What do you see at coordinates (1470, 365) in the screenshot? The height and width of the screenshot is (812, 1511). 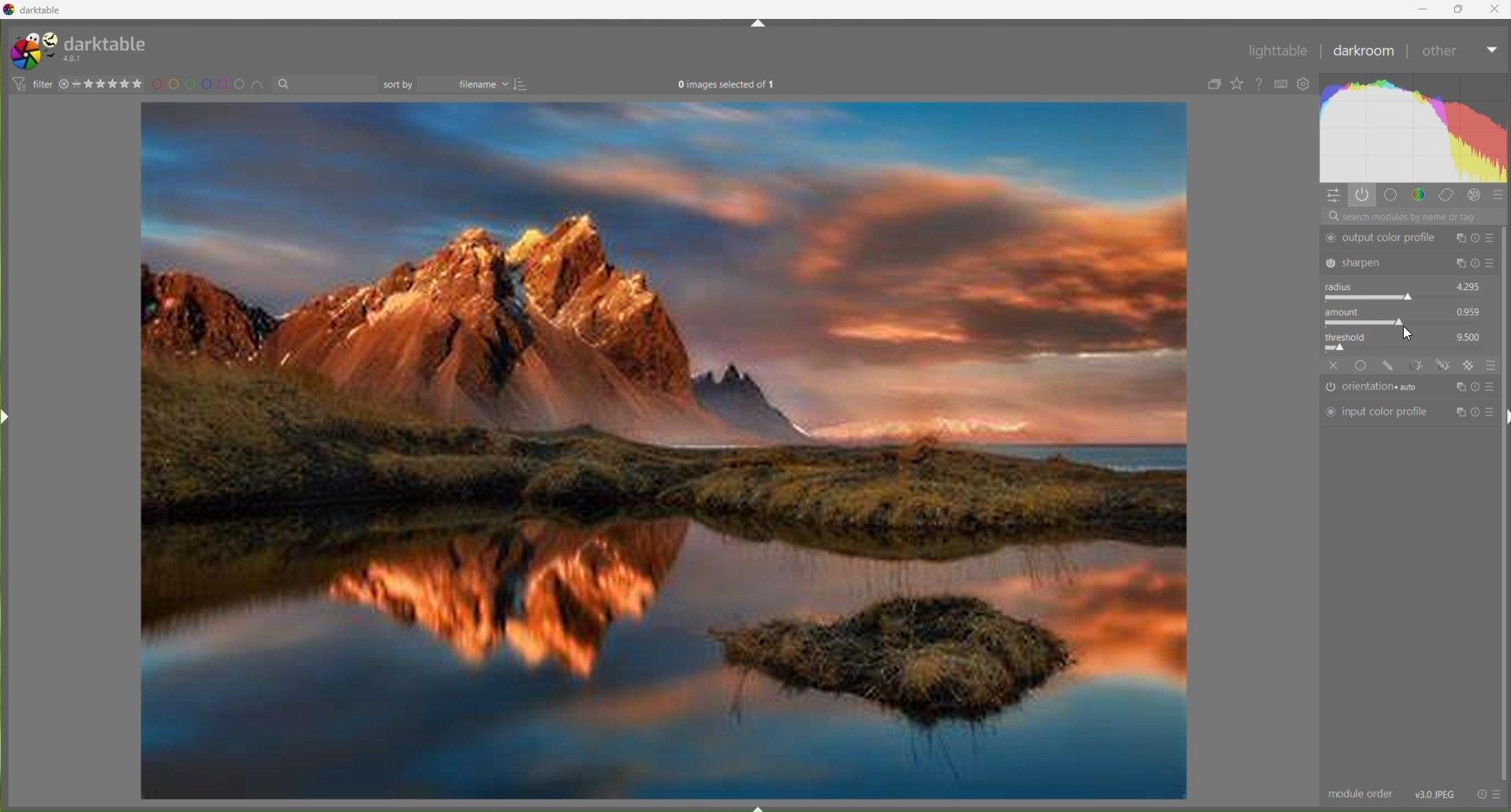 I see `Effects` at bounding box center [1470, 365].